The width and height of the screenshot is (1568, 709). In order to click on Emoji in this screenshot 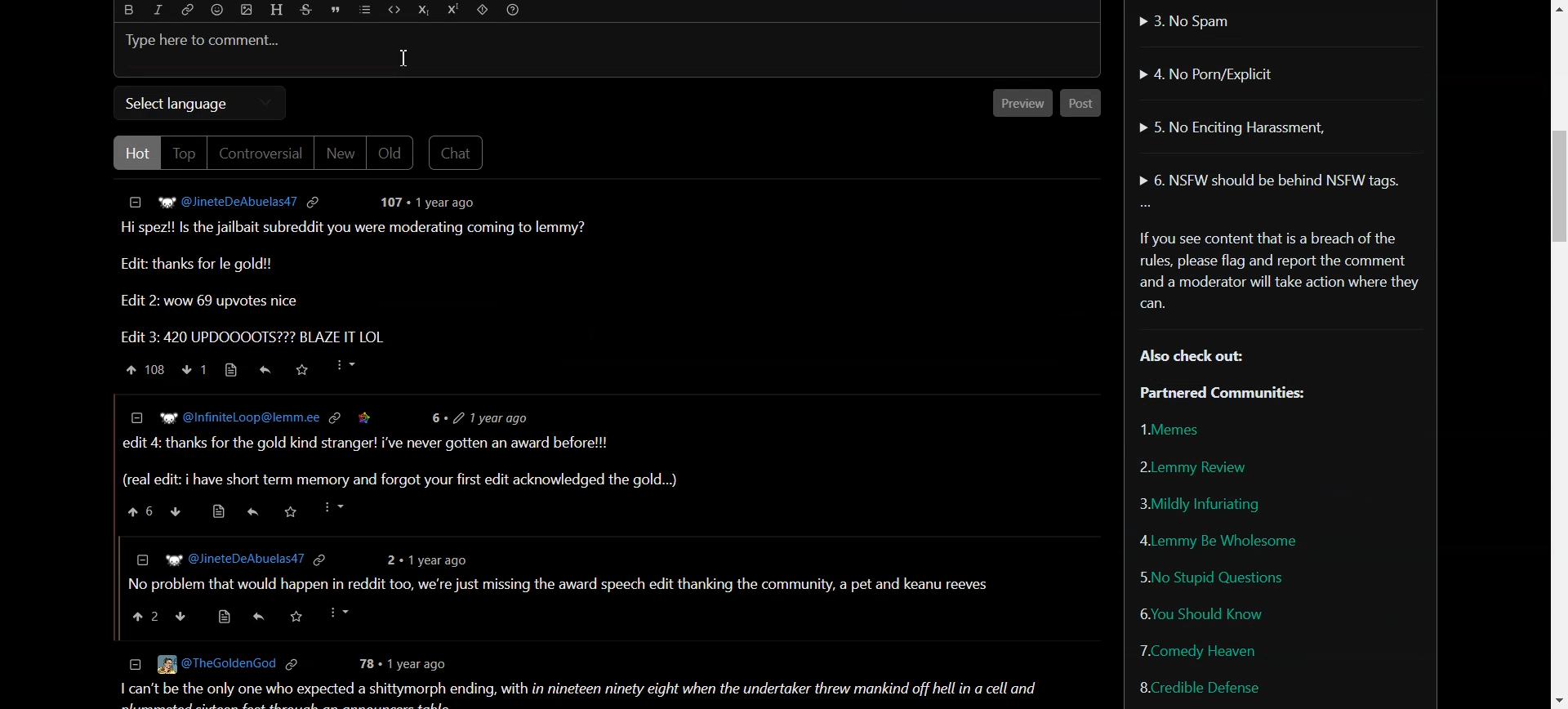, I will do `click(217, 10)`.